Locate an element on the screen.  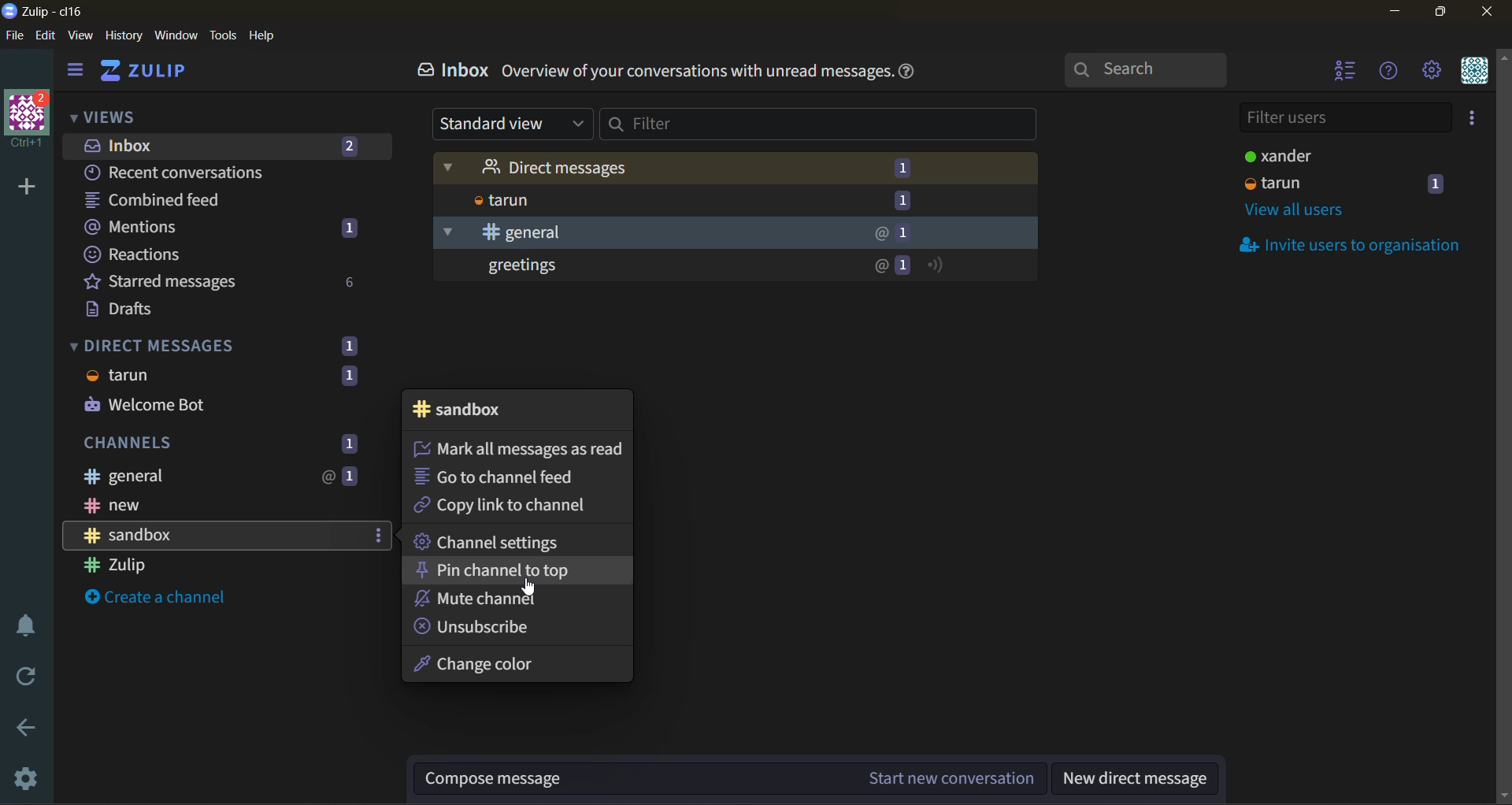
main menu is located at coordinates (1429, 72).